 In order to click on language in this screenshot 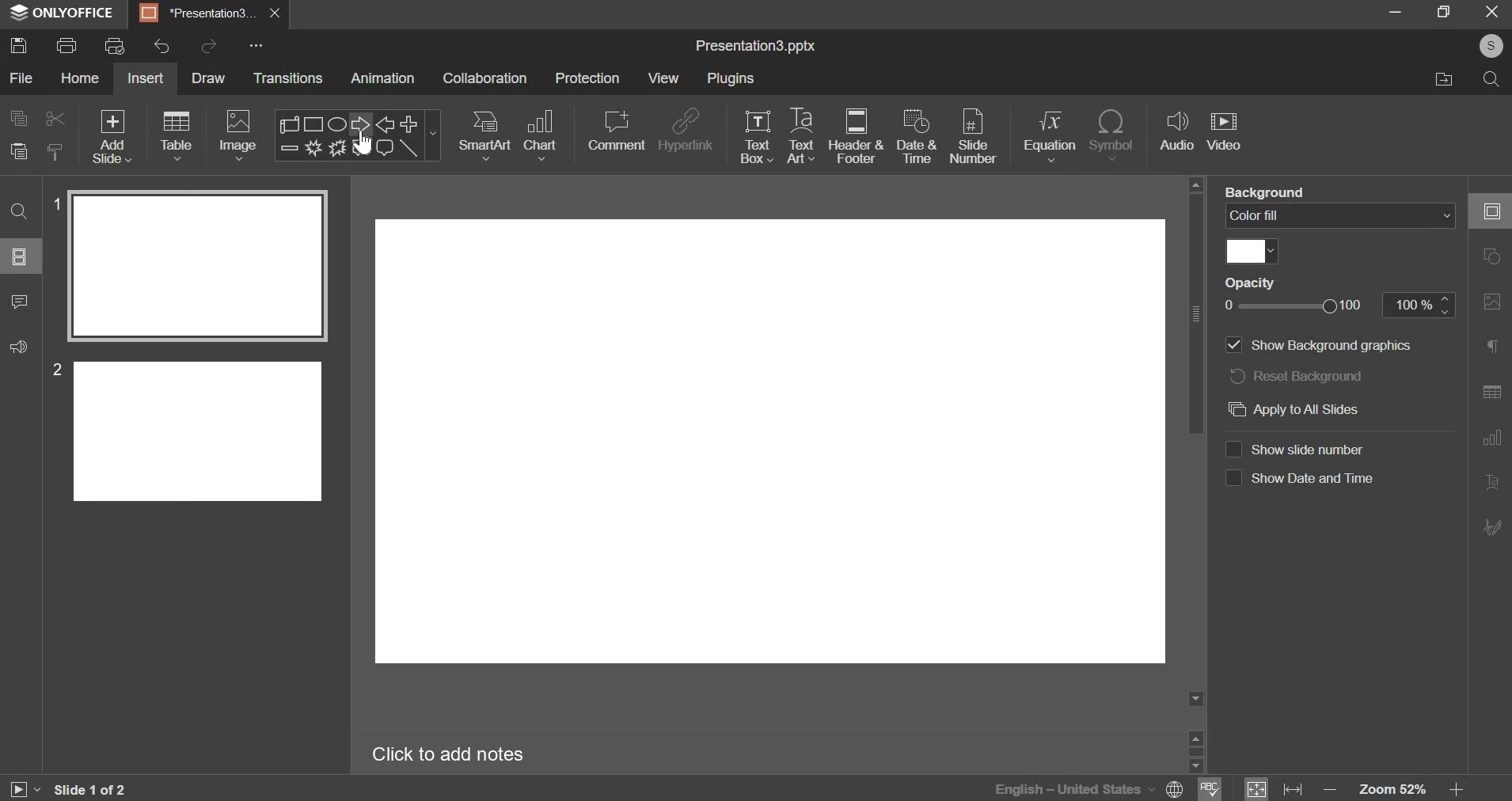, I will do `click(1052, 788)`.